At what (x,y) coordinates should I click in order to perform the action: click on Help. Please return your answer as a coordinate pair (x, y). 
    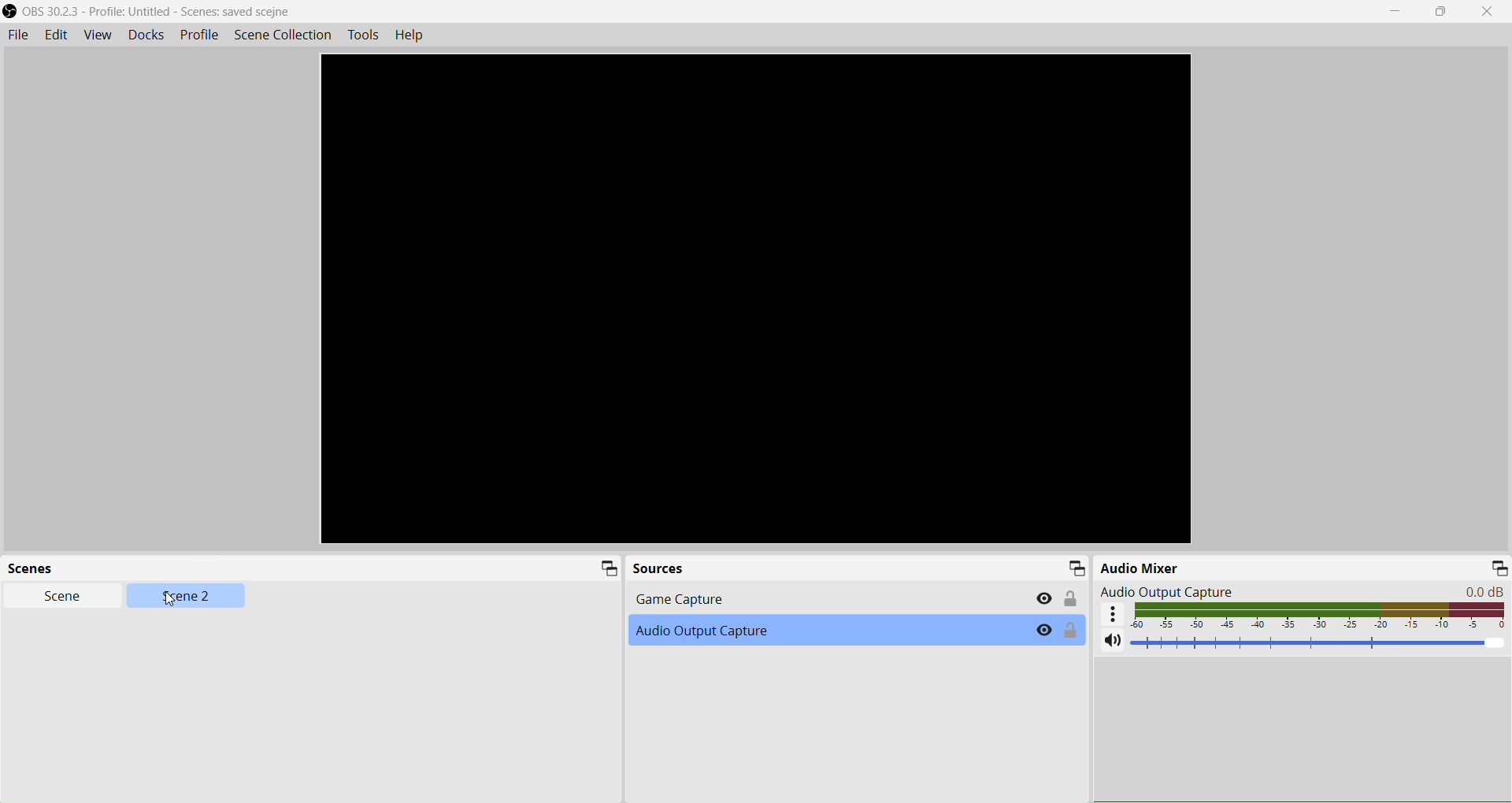
    Looking at the image, I should click on (409, 34).